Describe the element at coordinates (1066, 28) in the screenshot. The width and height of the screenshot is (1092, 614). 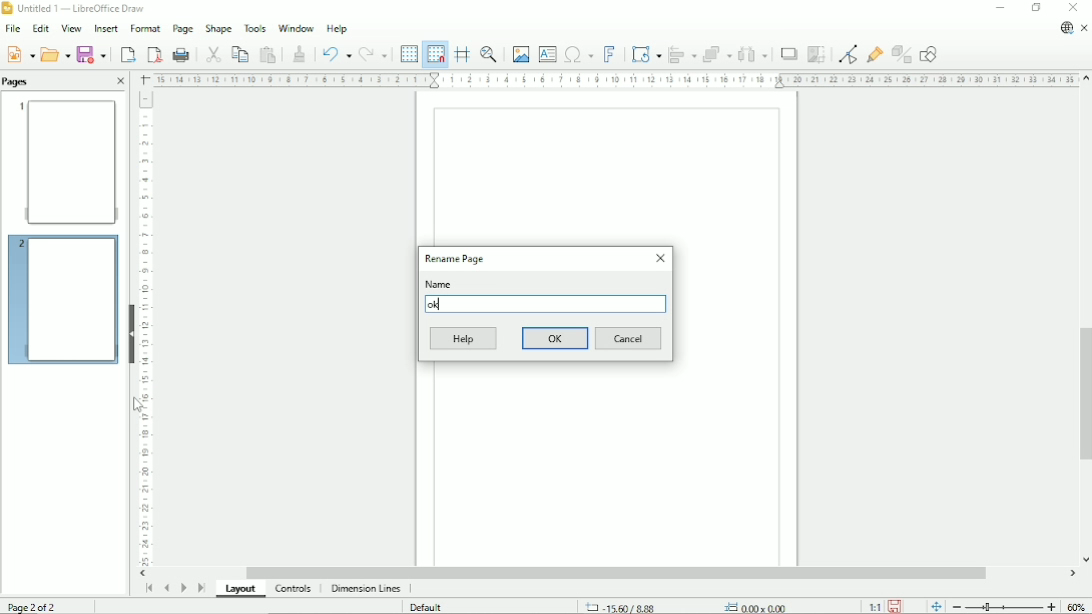
I see `Update available` at that location.